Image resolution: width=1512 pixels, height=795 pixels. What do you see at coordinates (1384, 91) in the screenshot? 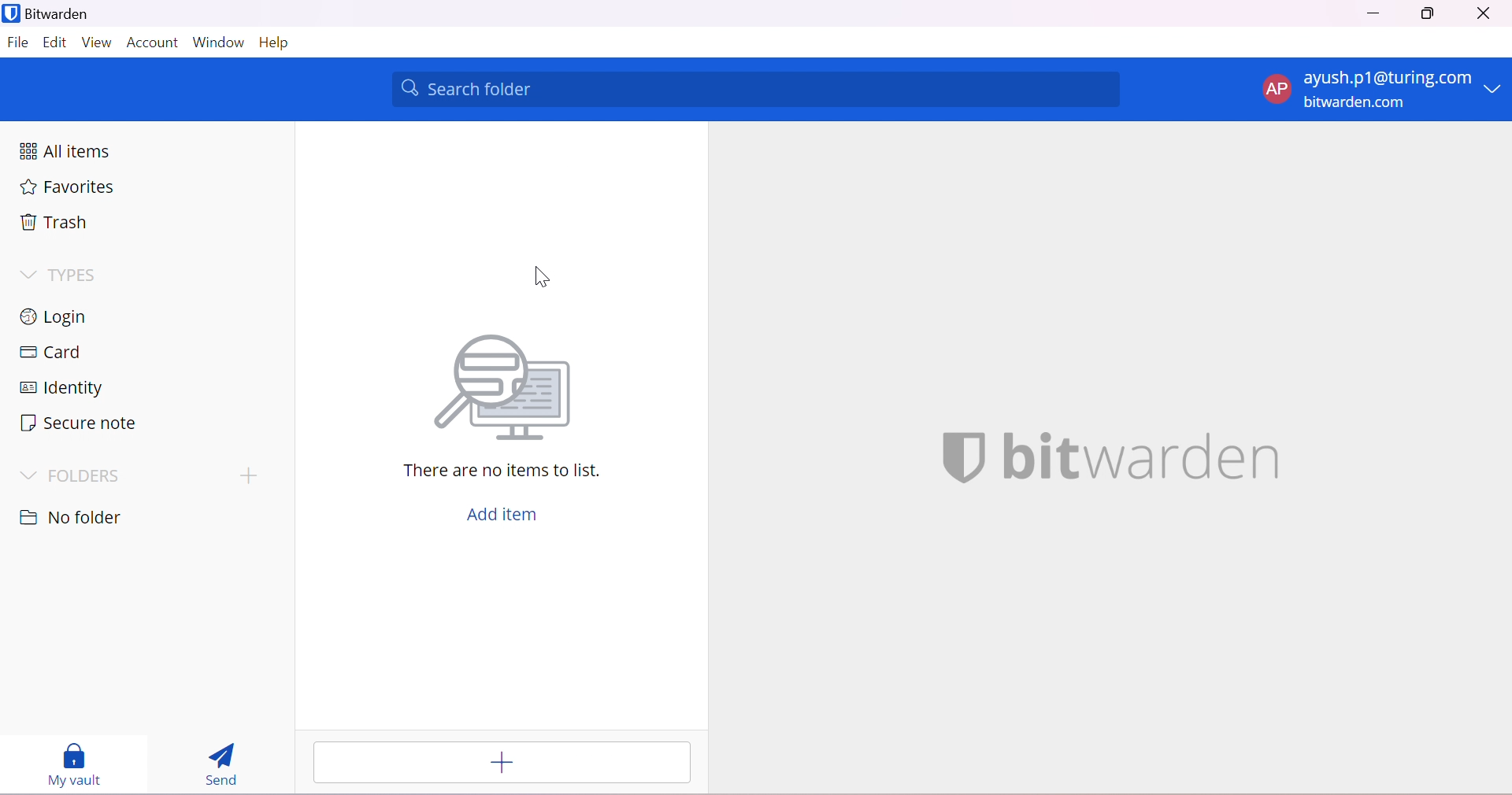
I see `account options` at bounding box center [1384, 91].